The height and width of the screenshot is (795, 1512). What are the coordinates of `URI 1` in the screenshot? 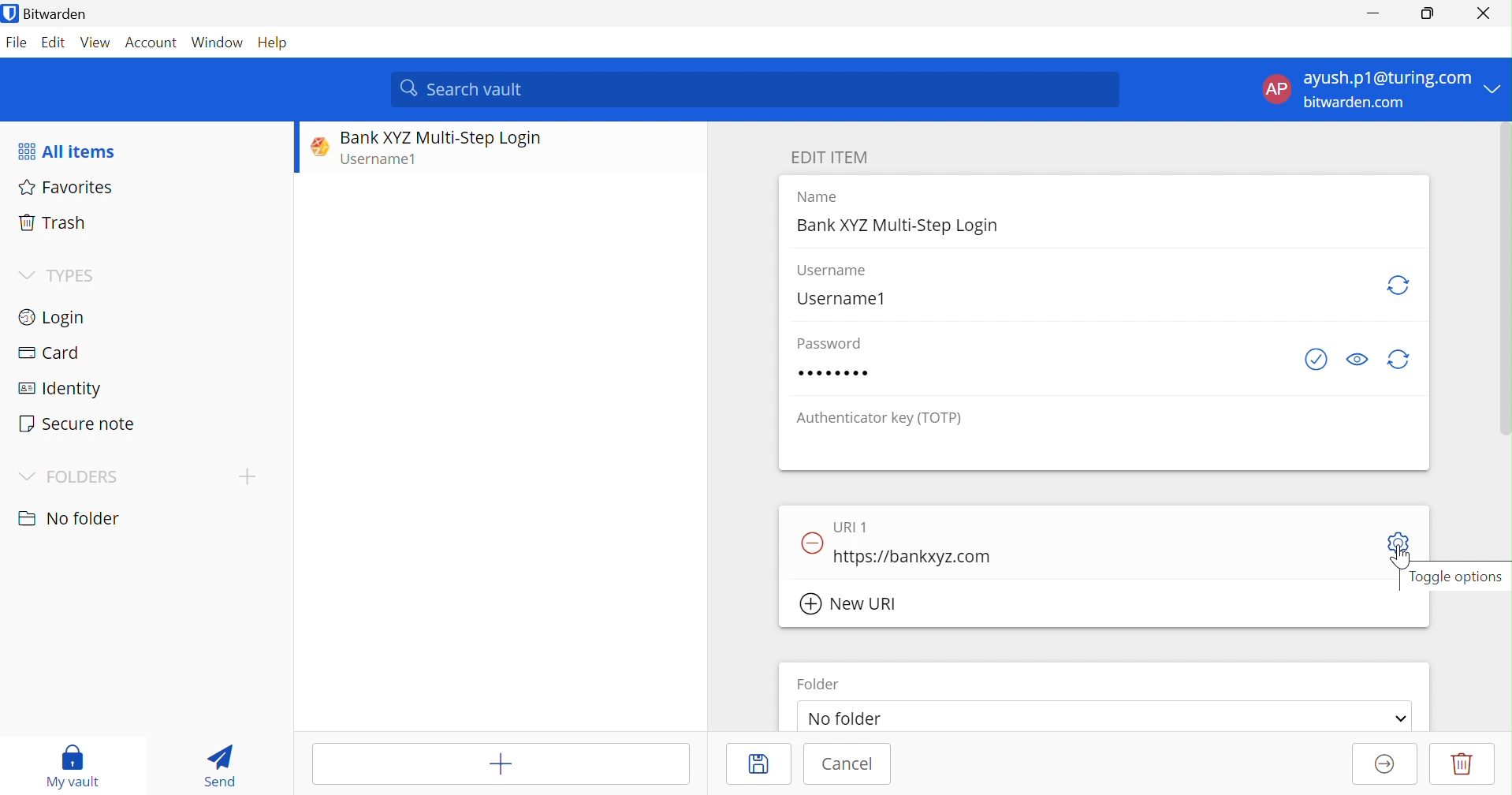 It's located at (852, 528).